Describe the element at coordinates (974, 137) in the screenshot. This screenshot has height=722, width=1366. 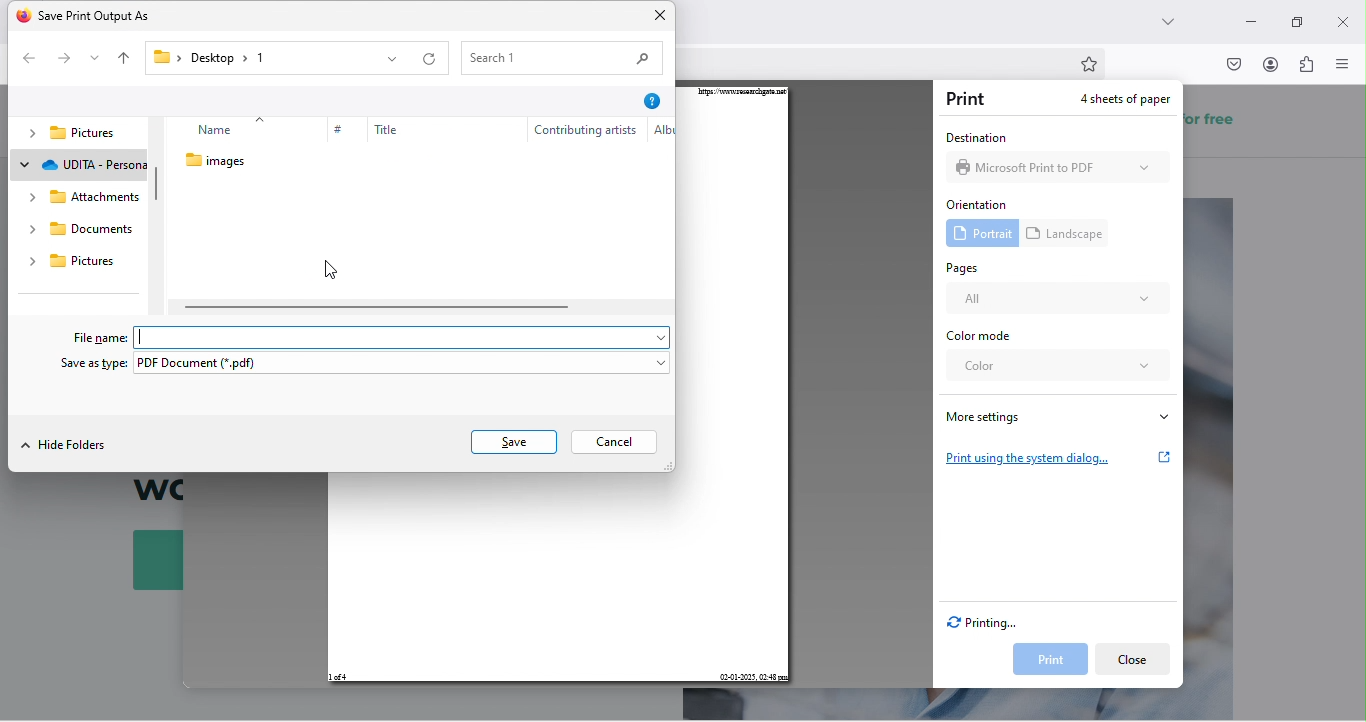
I see `destination` at that location.